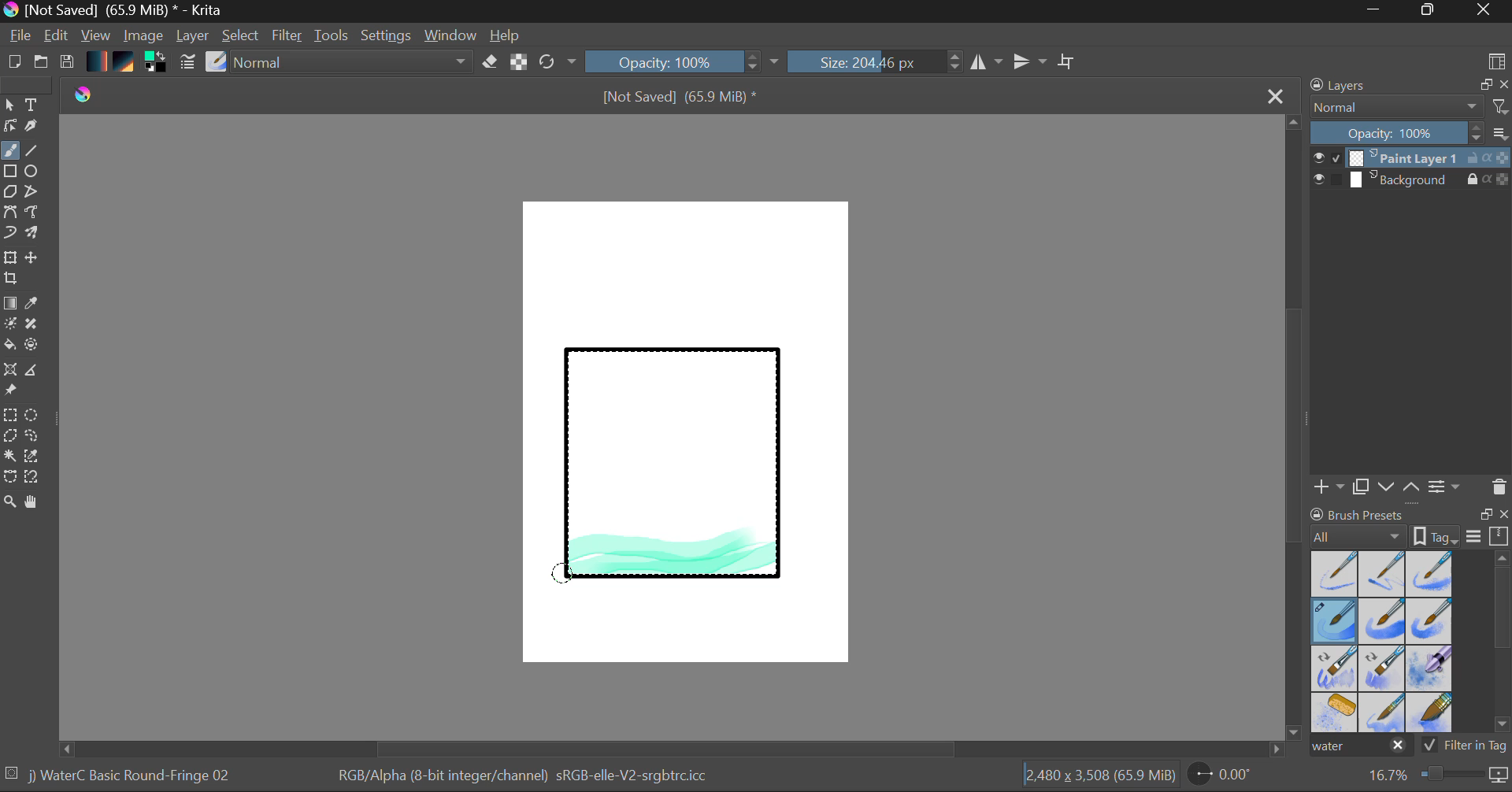  What do you see at coordinates (1430, 621) in the screenshot?
I see `Water C - Grunge` at bounding box center [1430, 621].